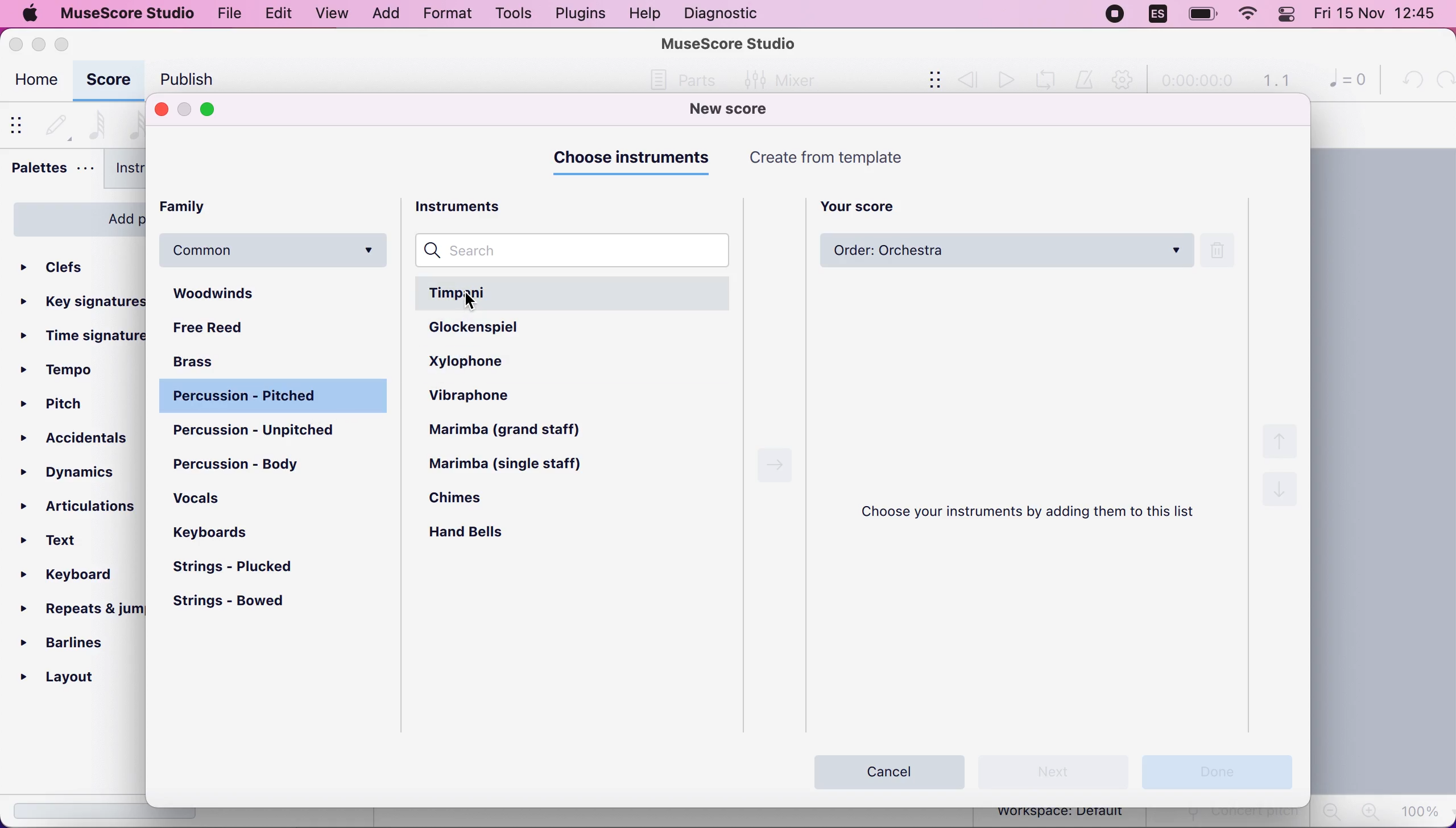 The image size is (1456, 828). What do you see at coordinates (331, 14) in the screenshot?
I see `view` at bounding box center [331, 14].